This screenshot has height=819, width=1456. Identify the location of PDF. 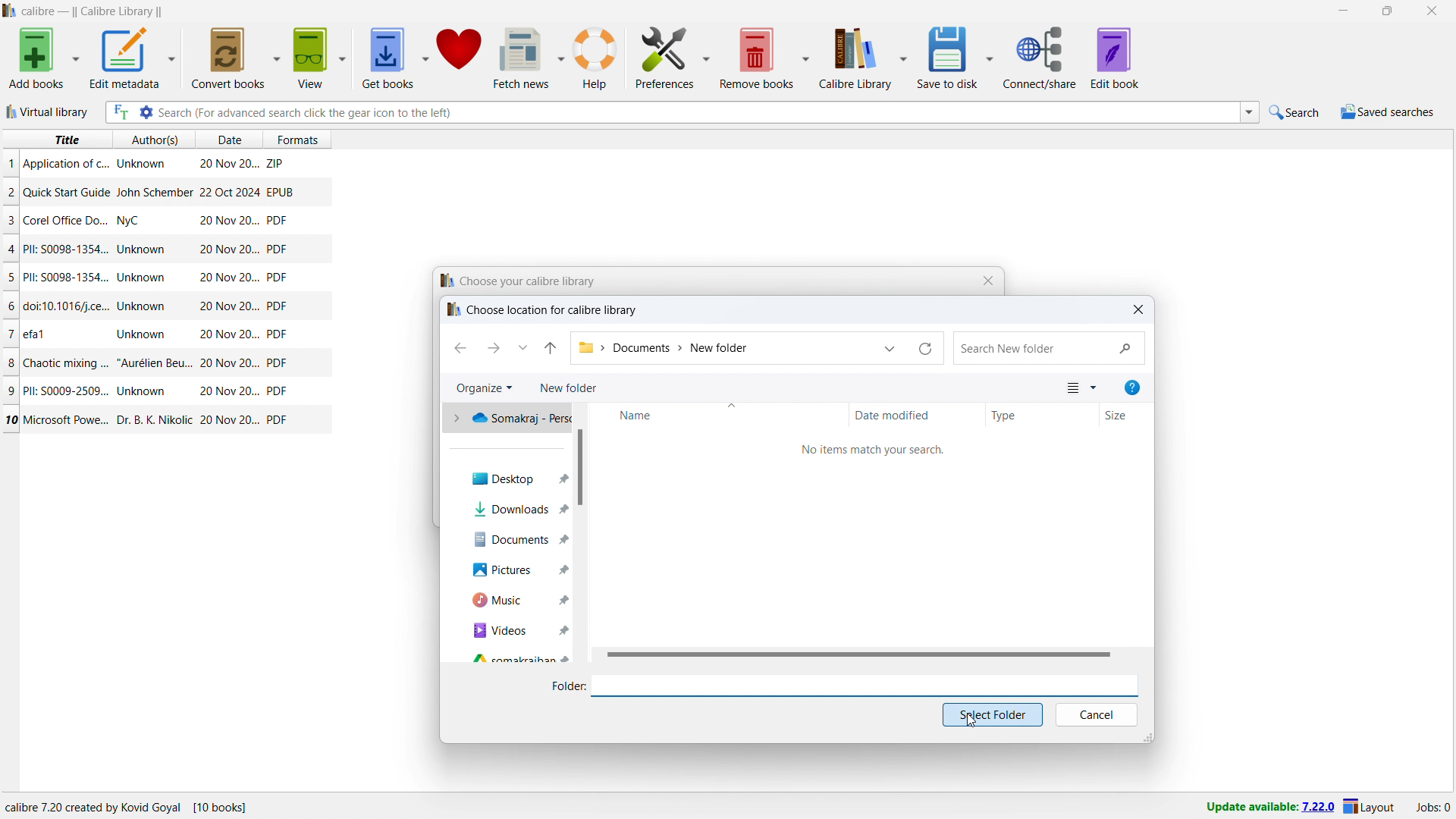
(277, 278).